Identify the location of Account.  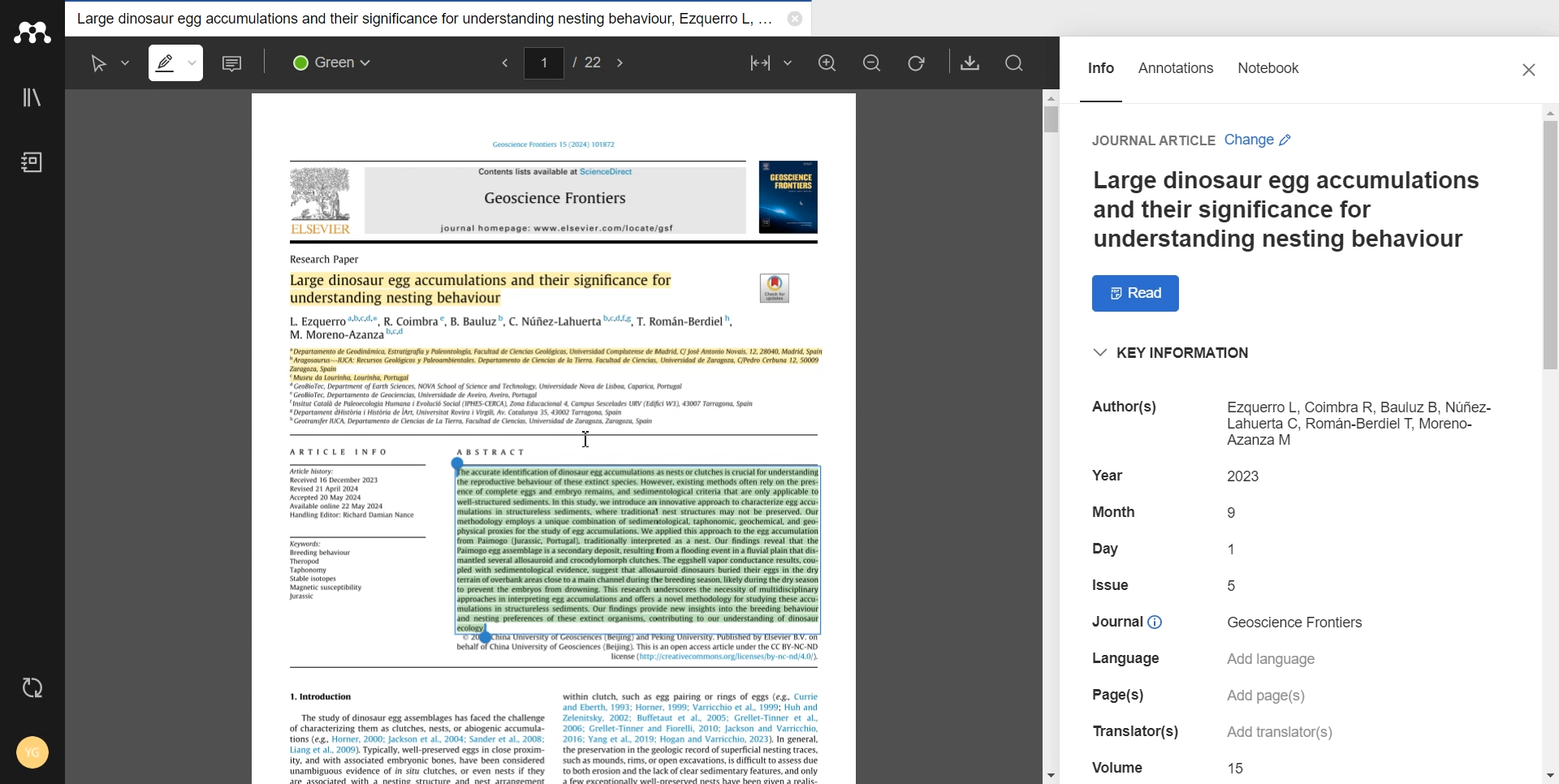
(30, 754).